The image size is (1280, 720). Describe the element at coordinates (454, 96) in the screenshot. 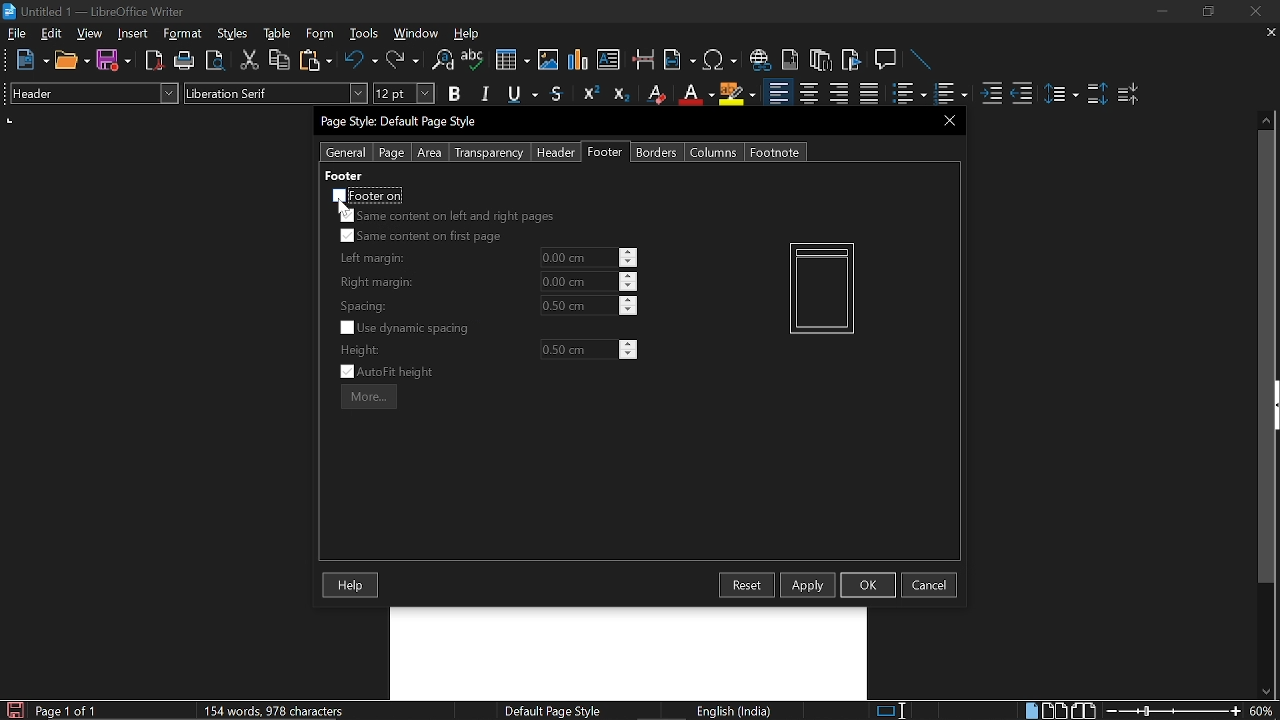

I see `Bold` at that location.